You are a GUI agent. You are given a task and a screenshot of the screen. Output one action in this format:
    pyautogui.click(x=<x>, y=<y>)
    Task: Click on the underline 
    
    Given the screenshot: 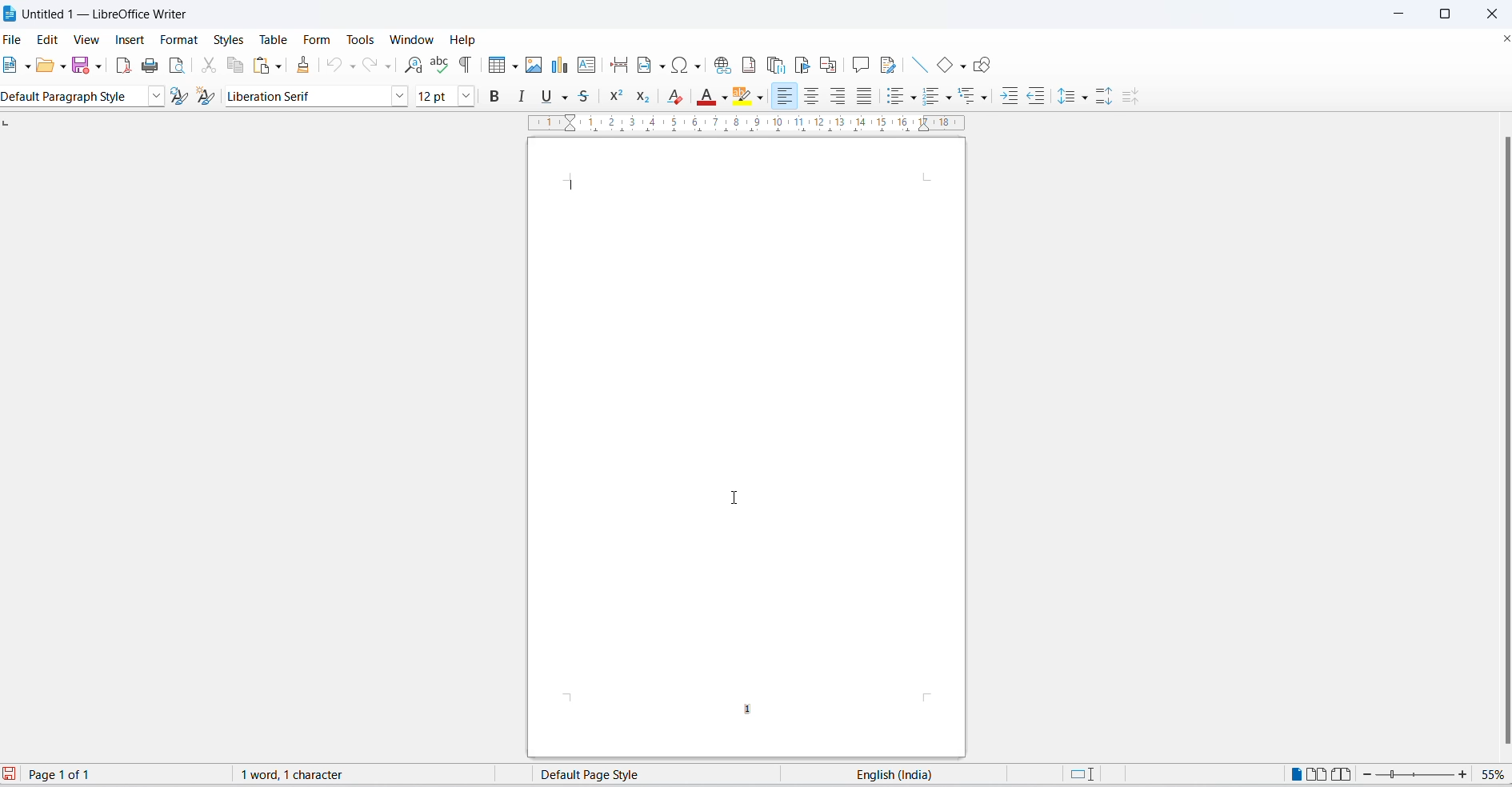 What is the action you would take?
    pyautogui.click(x=544, y=98)
    